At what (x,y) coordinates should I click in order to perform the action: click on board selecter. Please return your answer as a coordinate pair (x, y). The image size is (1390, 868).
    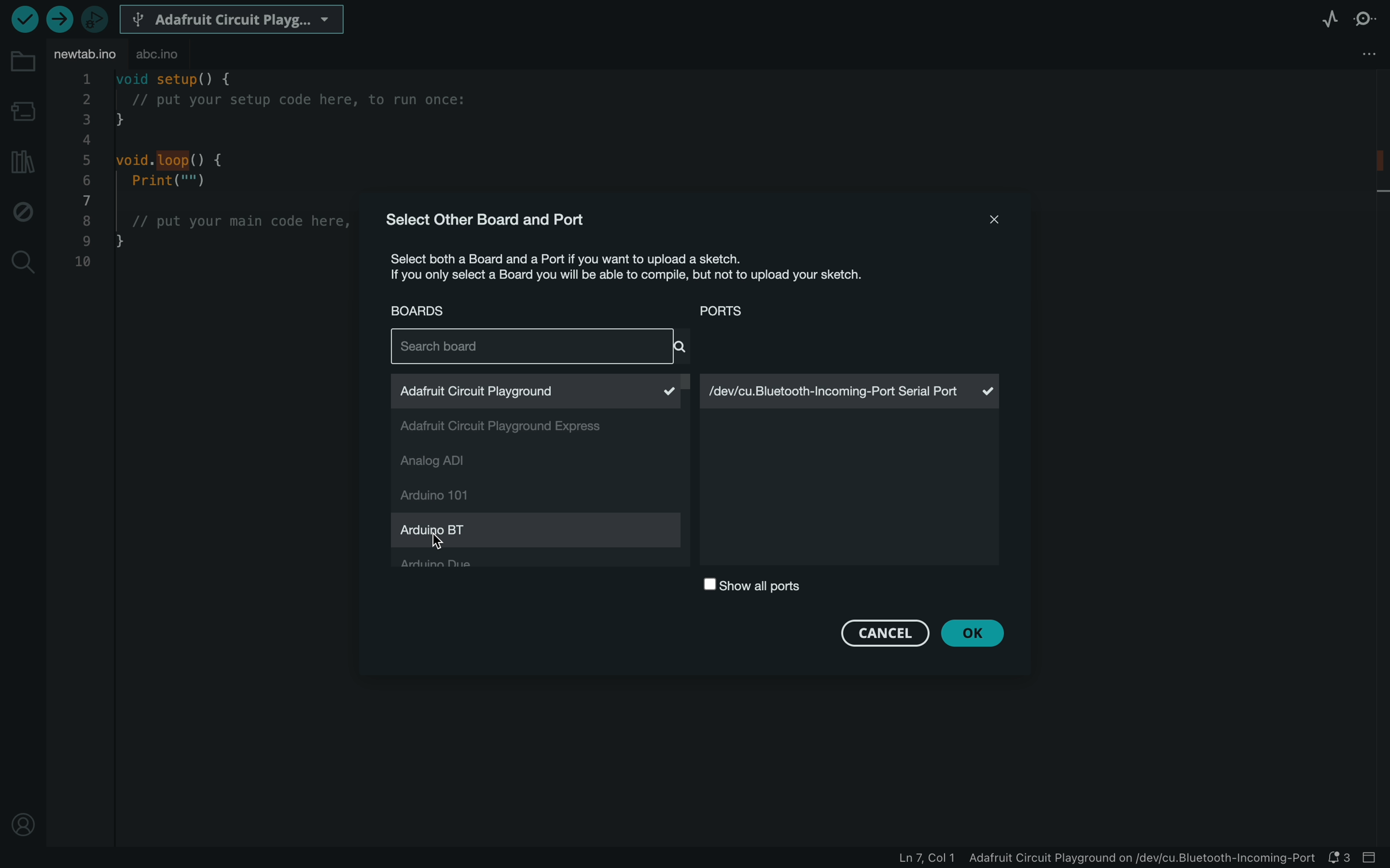
    Looking at the image, I should click on (232, 18).